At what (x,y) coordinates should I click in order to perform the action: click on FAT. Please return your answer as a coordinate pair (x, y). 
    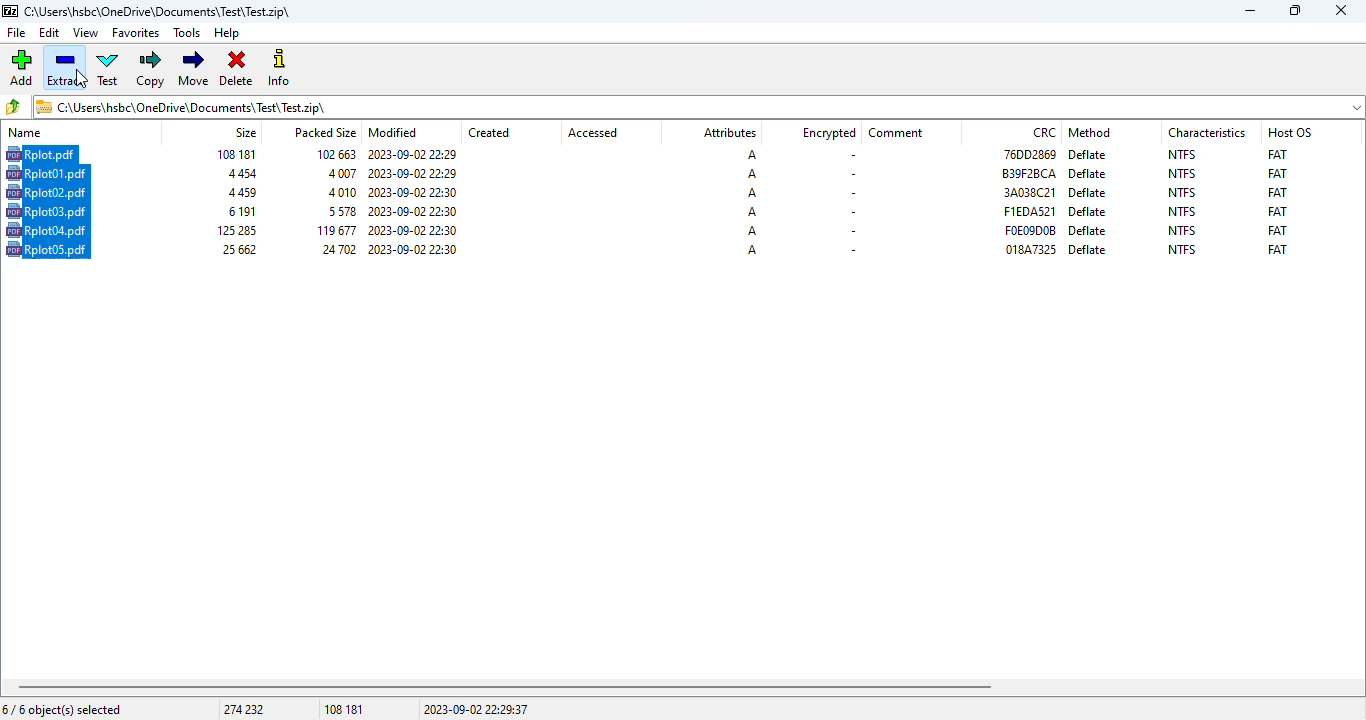
    Looking at the image, I should click on (1277, 249).